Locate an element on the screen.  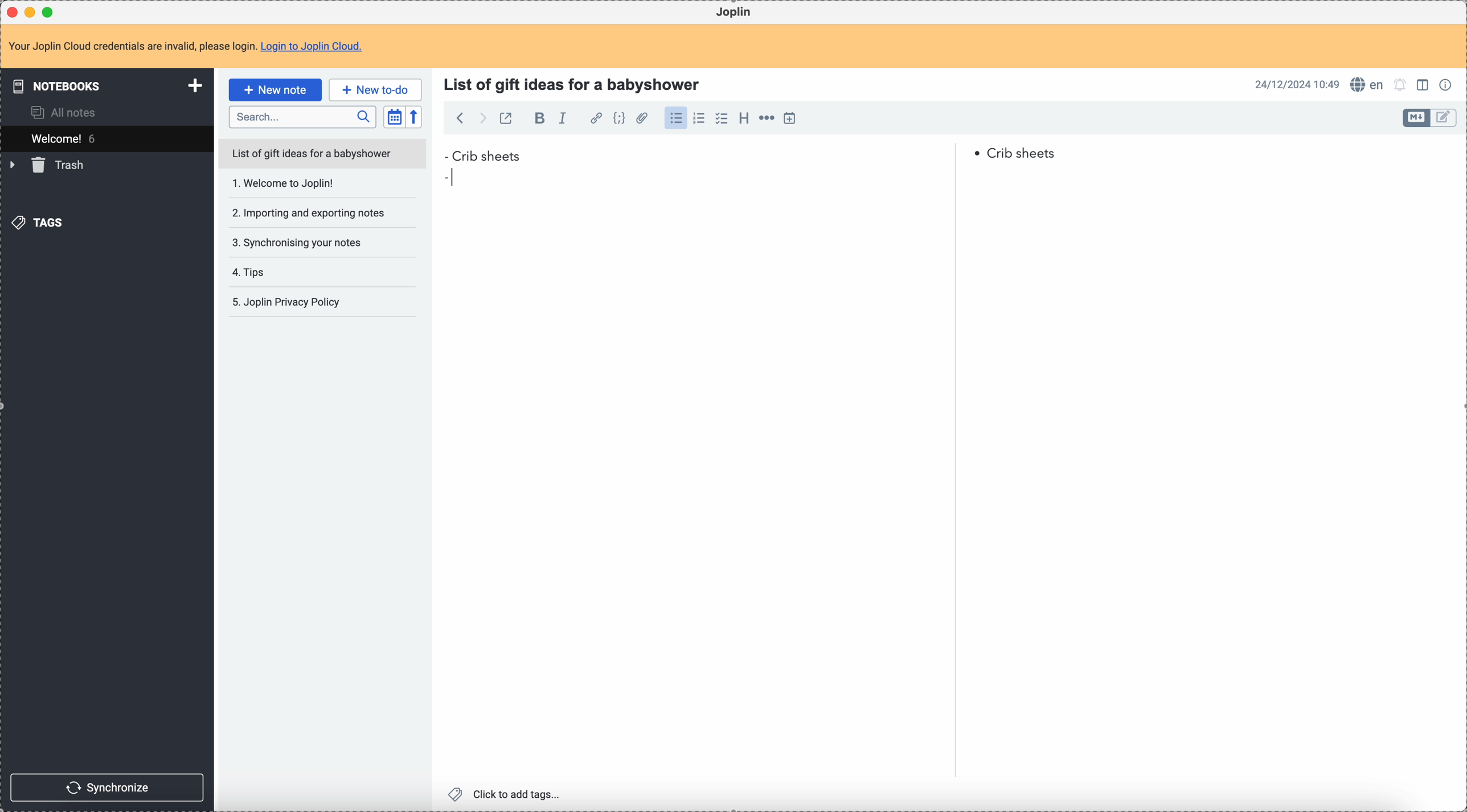
note properties is located at coordinates (1448, 84).